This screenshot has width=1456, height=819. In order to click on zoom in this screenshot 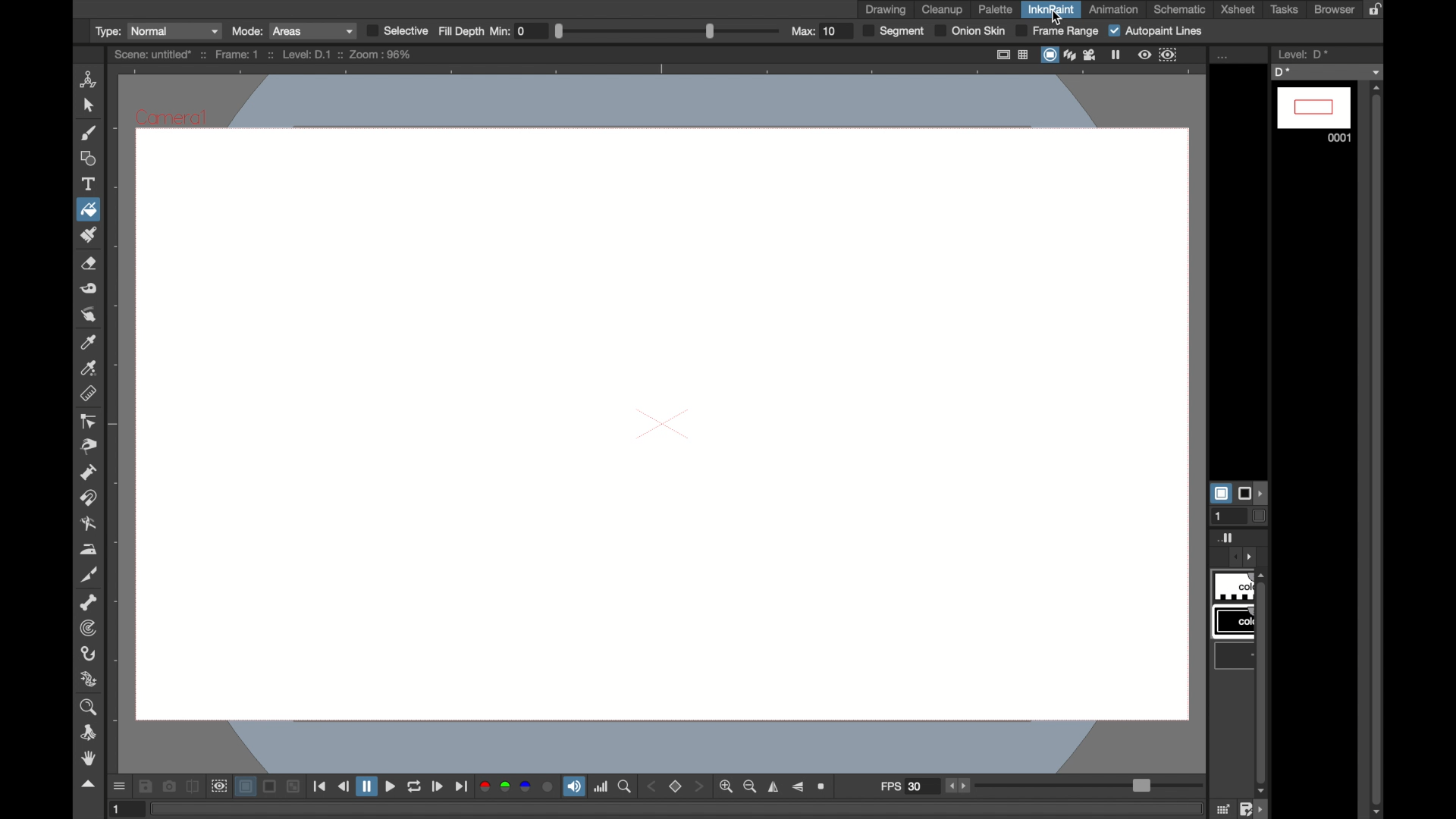, I will do `click(87, 708)`.